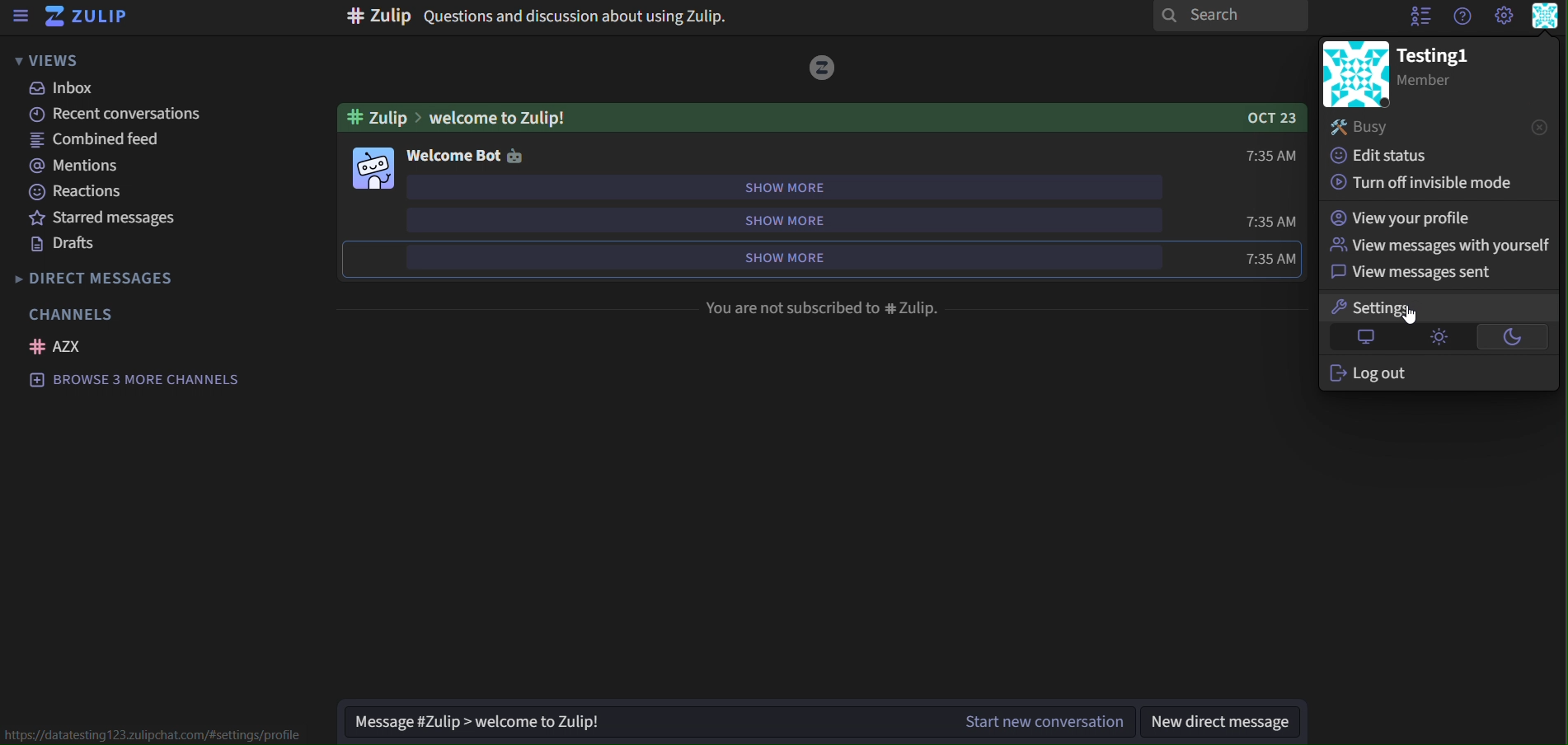  I want to click on #Zulip >, so click(381, 119).